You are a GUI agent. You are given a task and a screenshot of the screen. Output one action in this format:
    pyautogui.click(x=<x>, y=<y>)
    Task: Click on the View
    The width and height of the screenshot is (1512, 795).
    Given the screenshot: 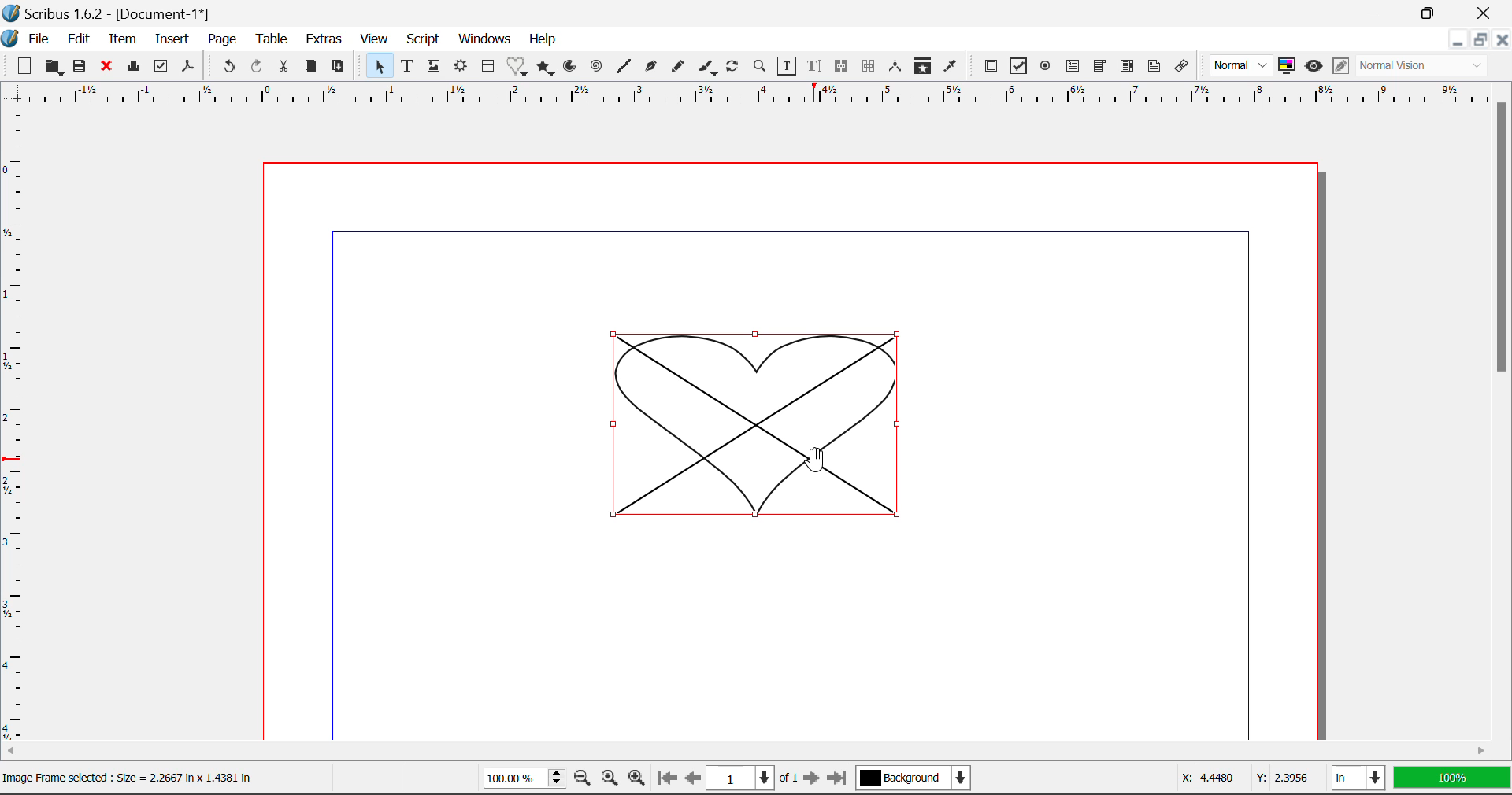 What is the action you would take?
    pyautogui.click(x=375, y=41)
    